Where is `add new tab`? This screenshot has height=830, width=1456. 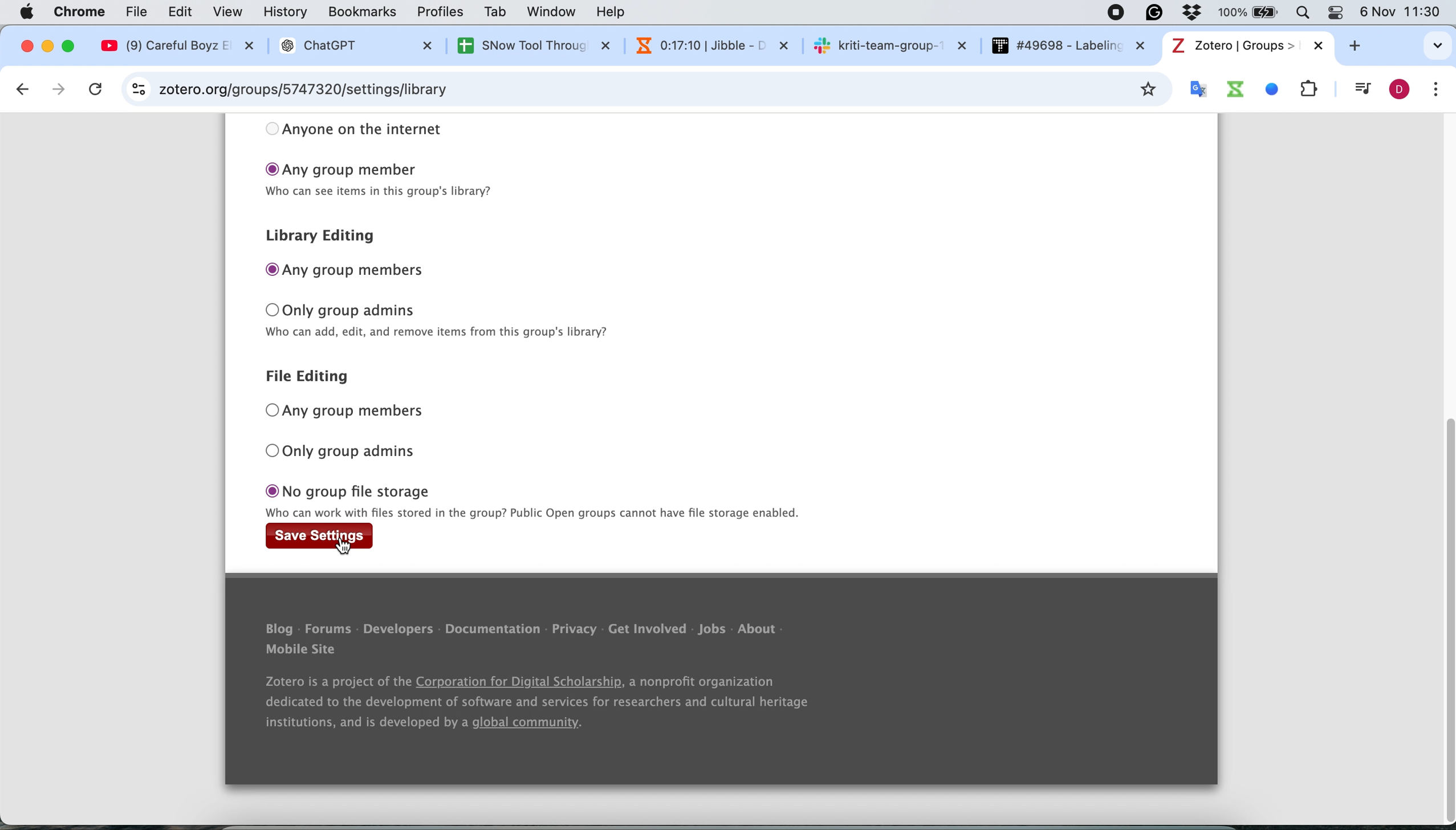 add new tab is located at coordinates (1362, 48).